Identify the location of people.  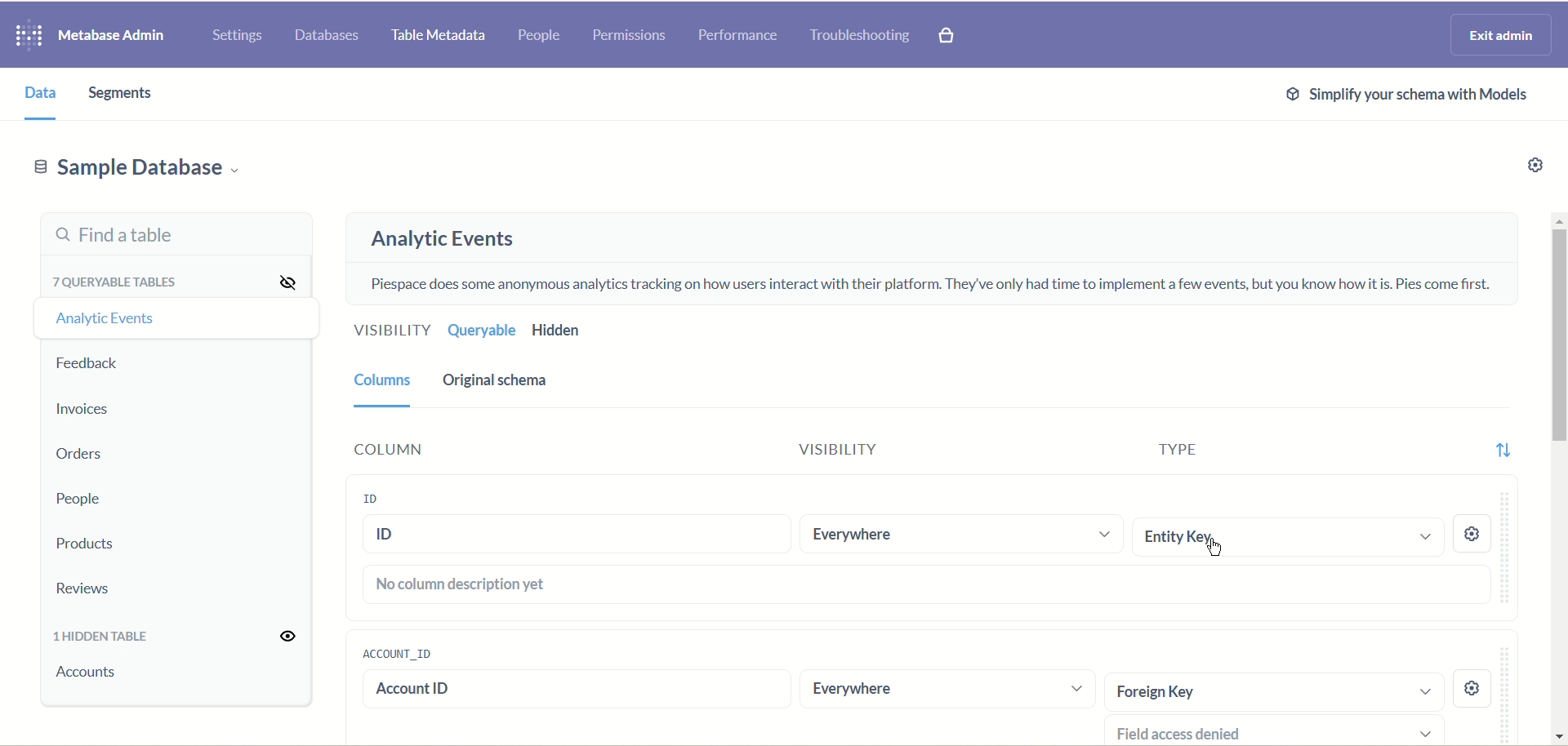
(76, 500).